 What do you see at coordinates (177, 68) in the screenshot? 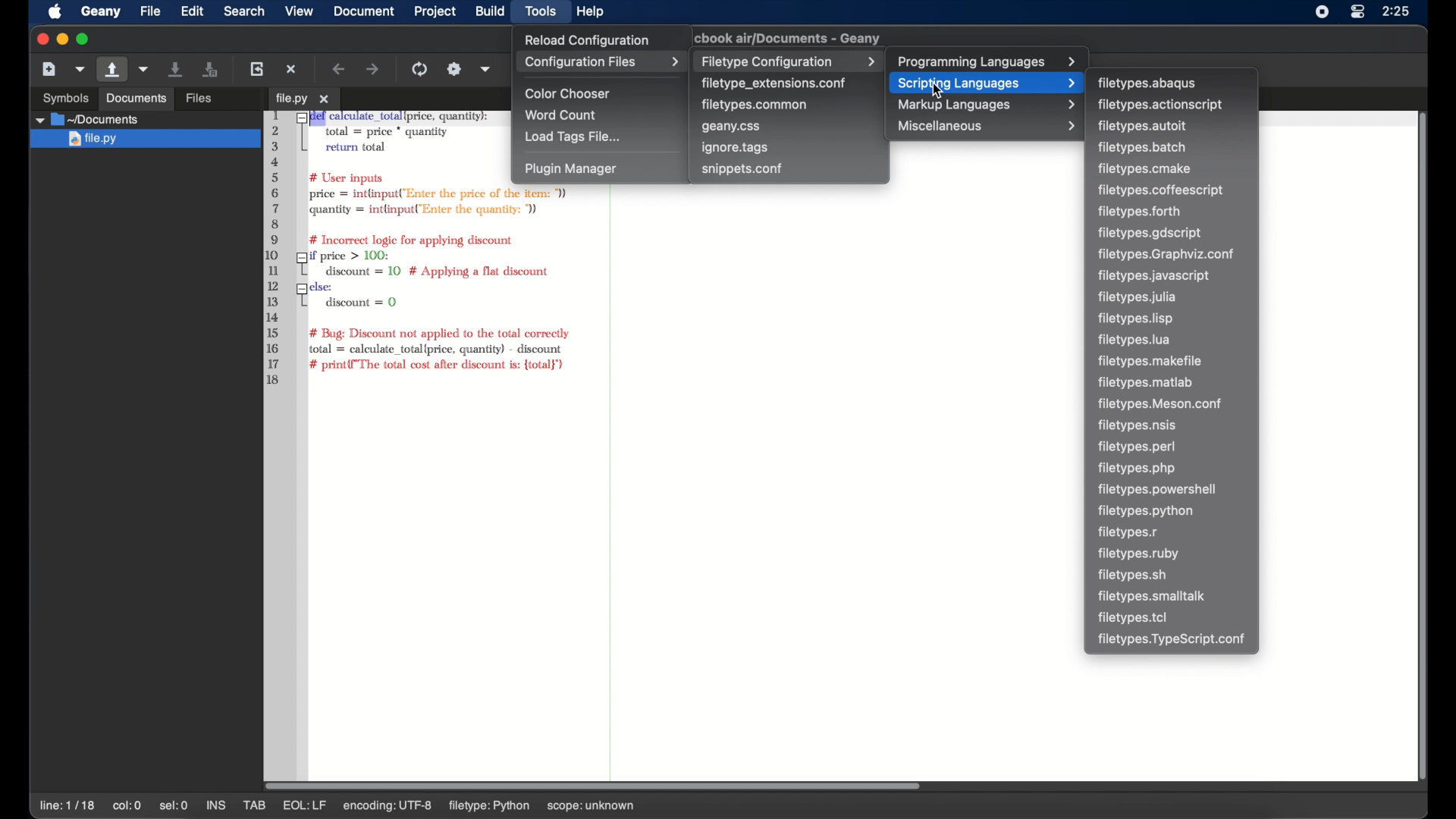
I see `save current file` at bounding box center [177, 68].